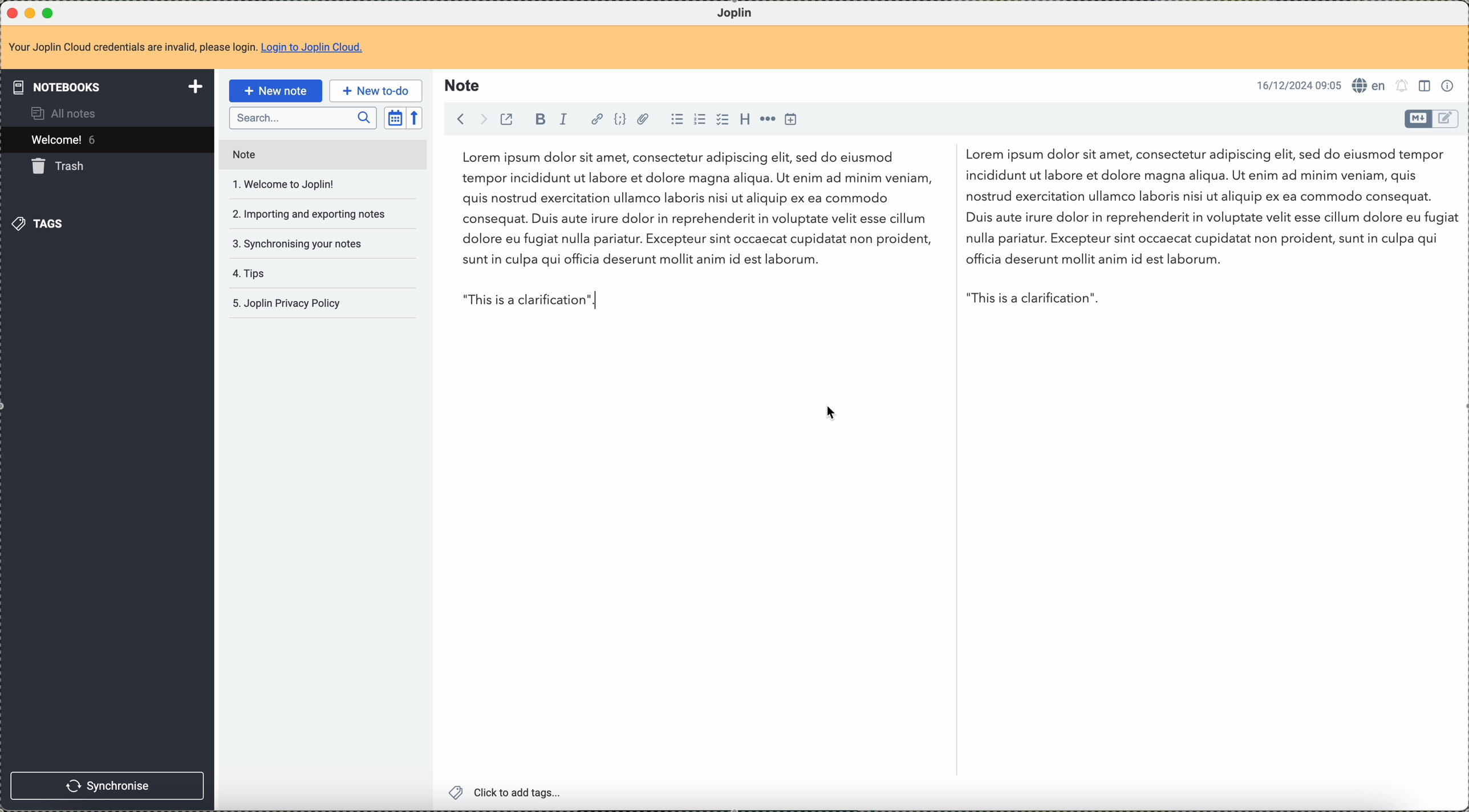 Image resolution: width=1469 pixels, height=812 pixels. Describe the element at coordinates (289, 185) in the screenshot. I see `welcome to joplin` at that location.